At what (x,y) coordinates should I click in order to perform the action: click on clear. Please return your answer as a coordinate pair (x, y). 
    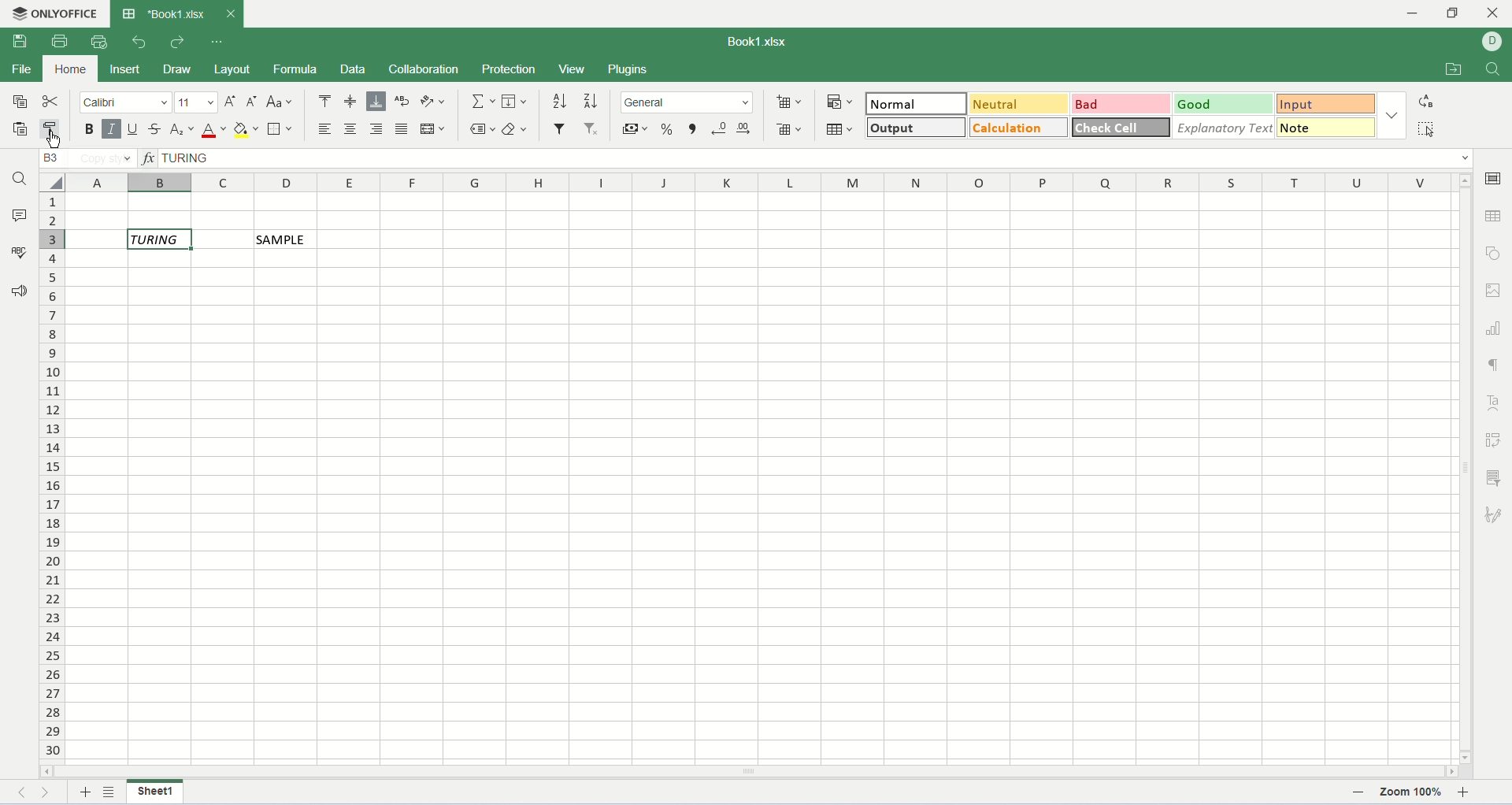
    Looking at the image, I should click on (515, 129).